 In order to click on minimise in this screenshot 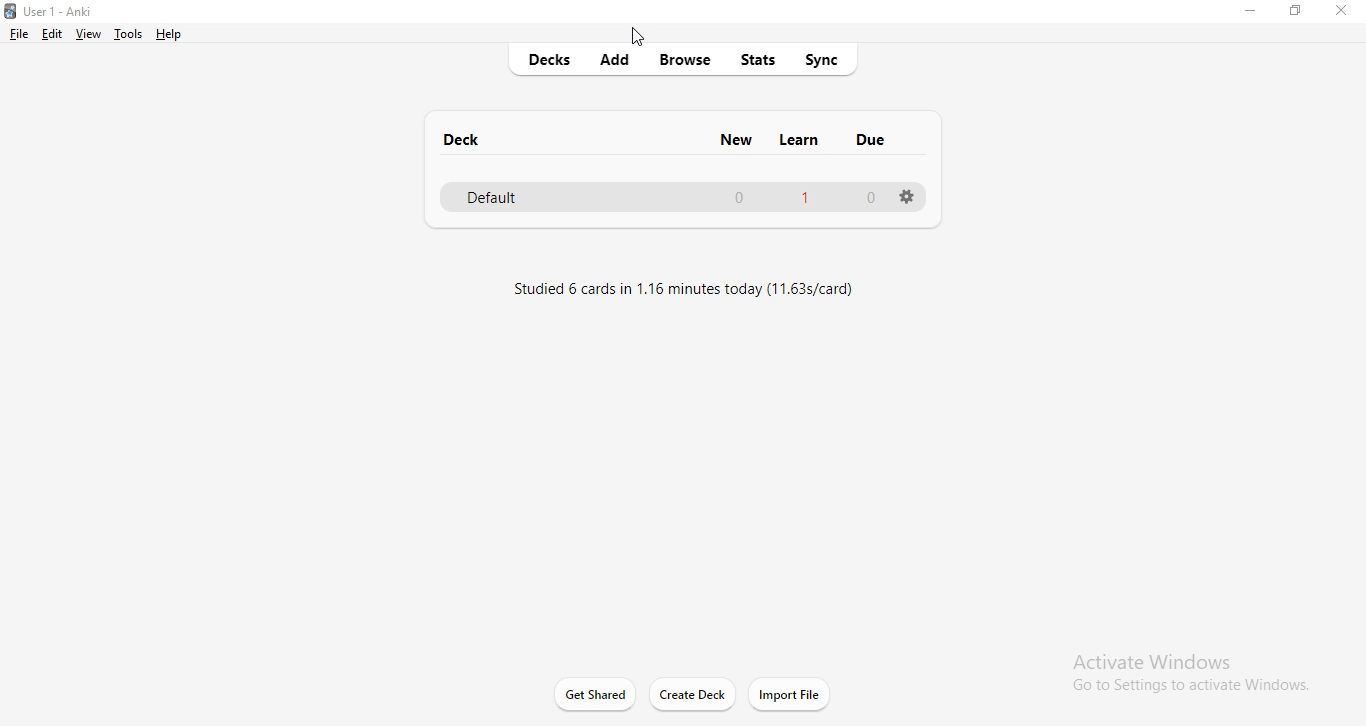, I will do `click(1249, 14)`.